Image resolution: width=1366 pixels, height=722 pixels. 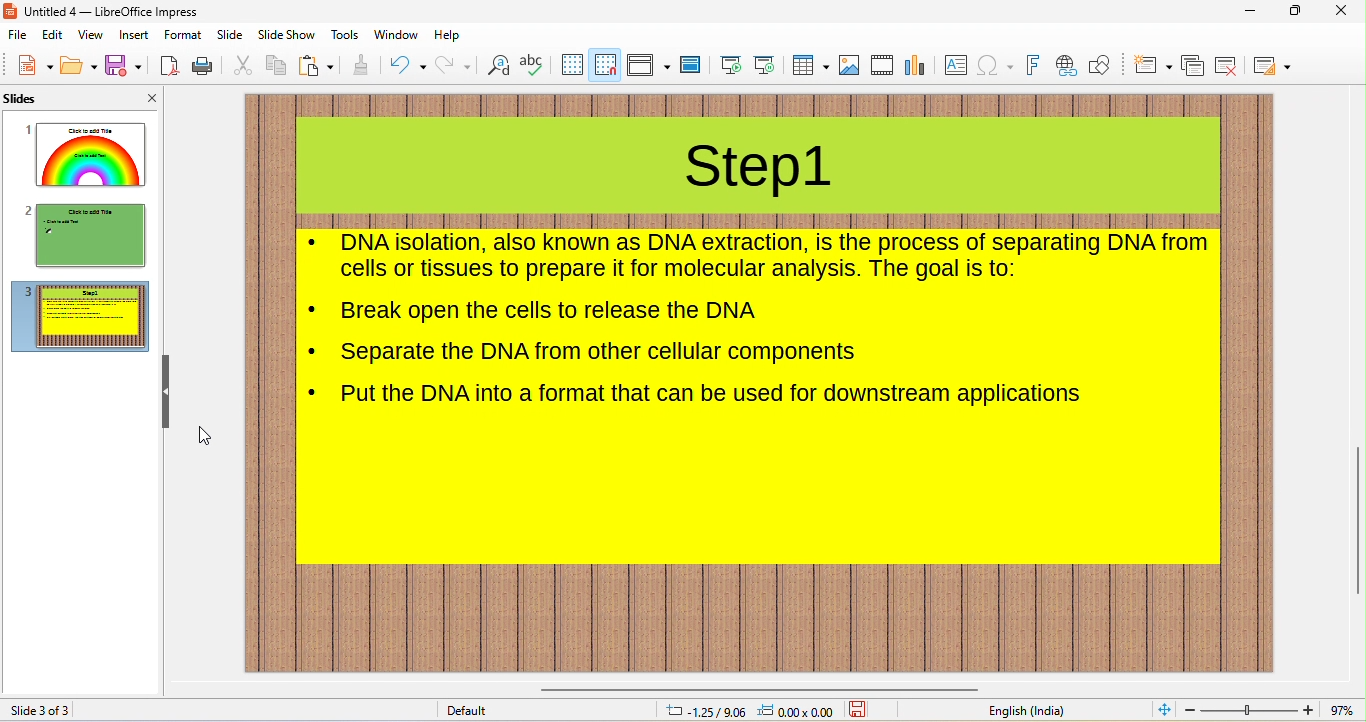 I want to click on window, so click(x=396, y=35).